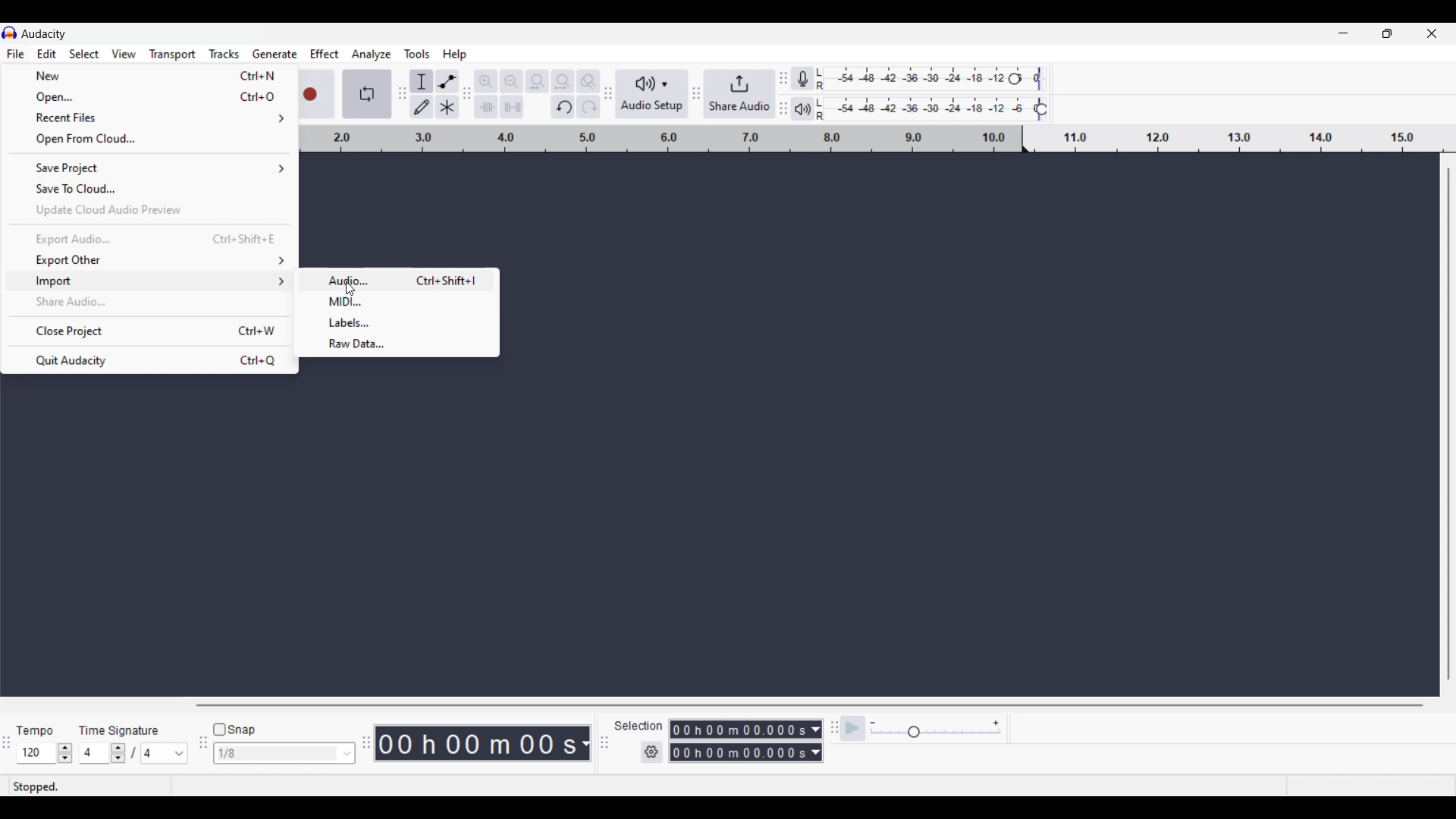 This screenshot has height=819, width=1456. I want to click on Selection settings, so click(652, 752).